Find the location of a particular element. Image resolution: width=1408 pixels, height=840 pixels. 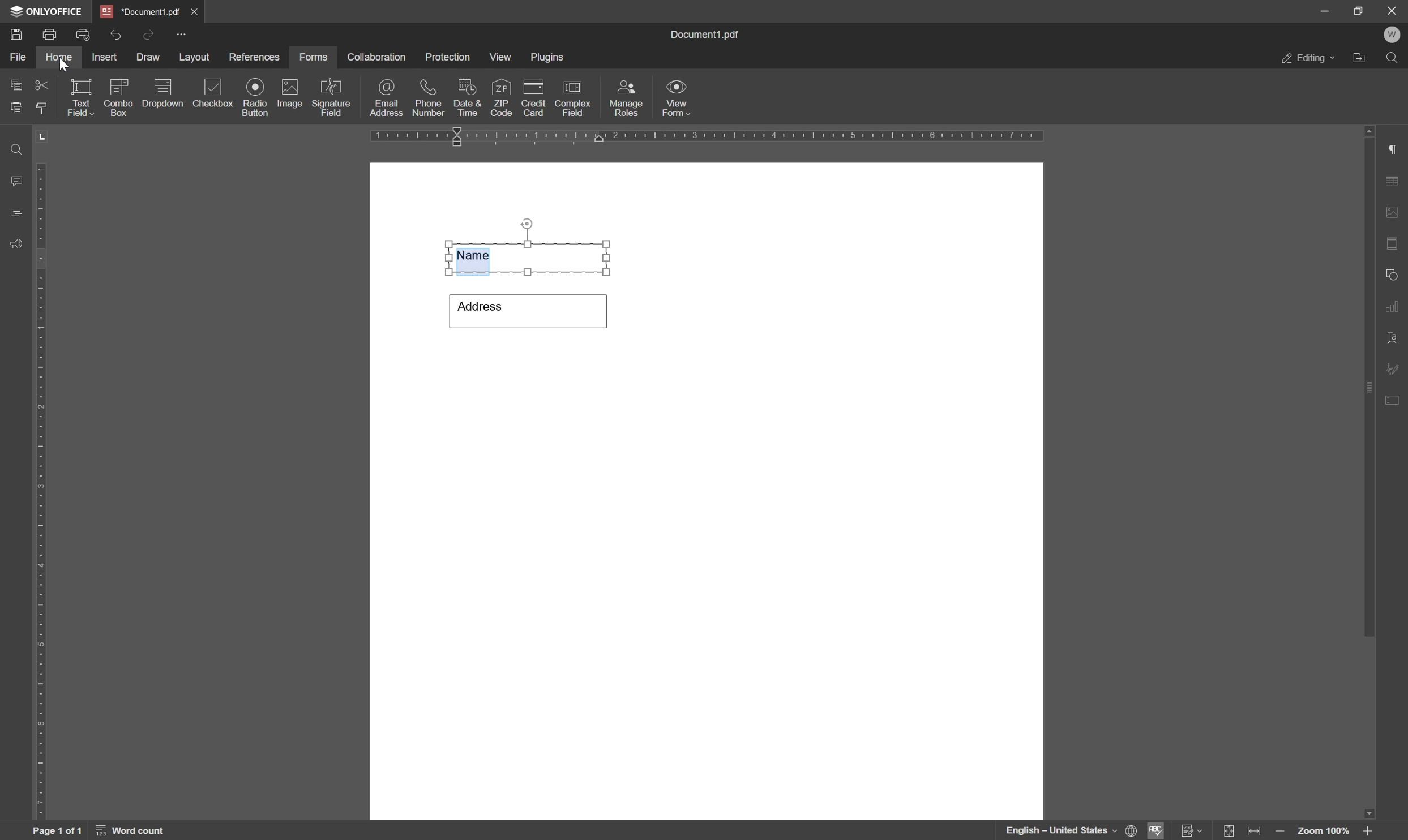

email address is located at coordinates (387, 97).